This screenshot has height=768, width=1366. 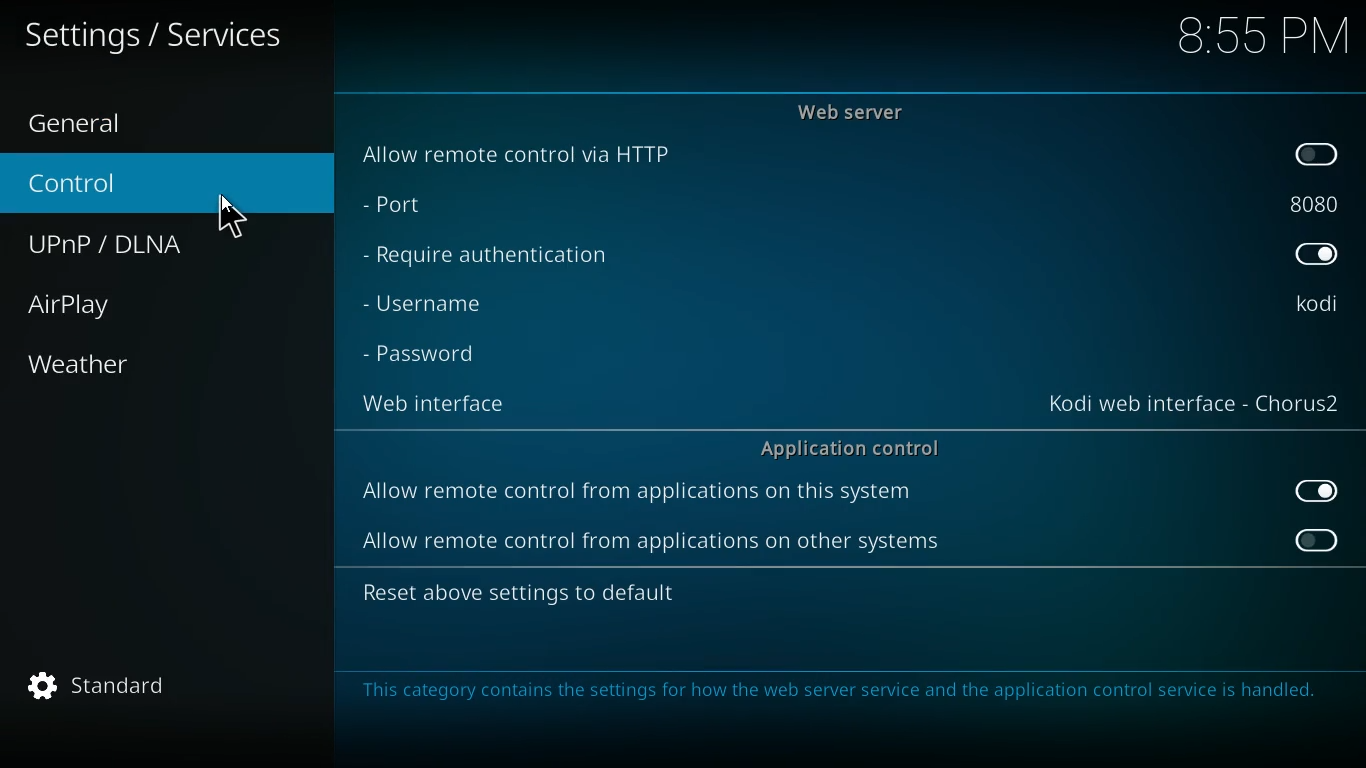 I want to click on allow remote control via http, so click(x=529, y=153).